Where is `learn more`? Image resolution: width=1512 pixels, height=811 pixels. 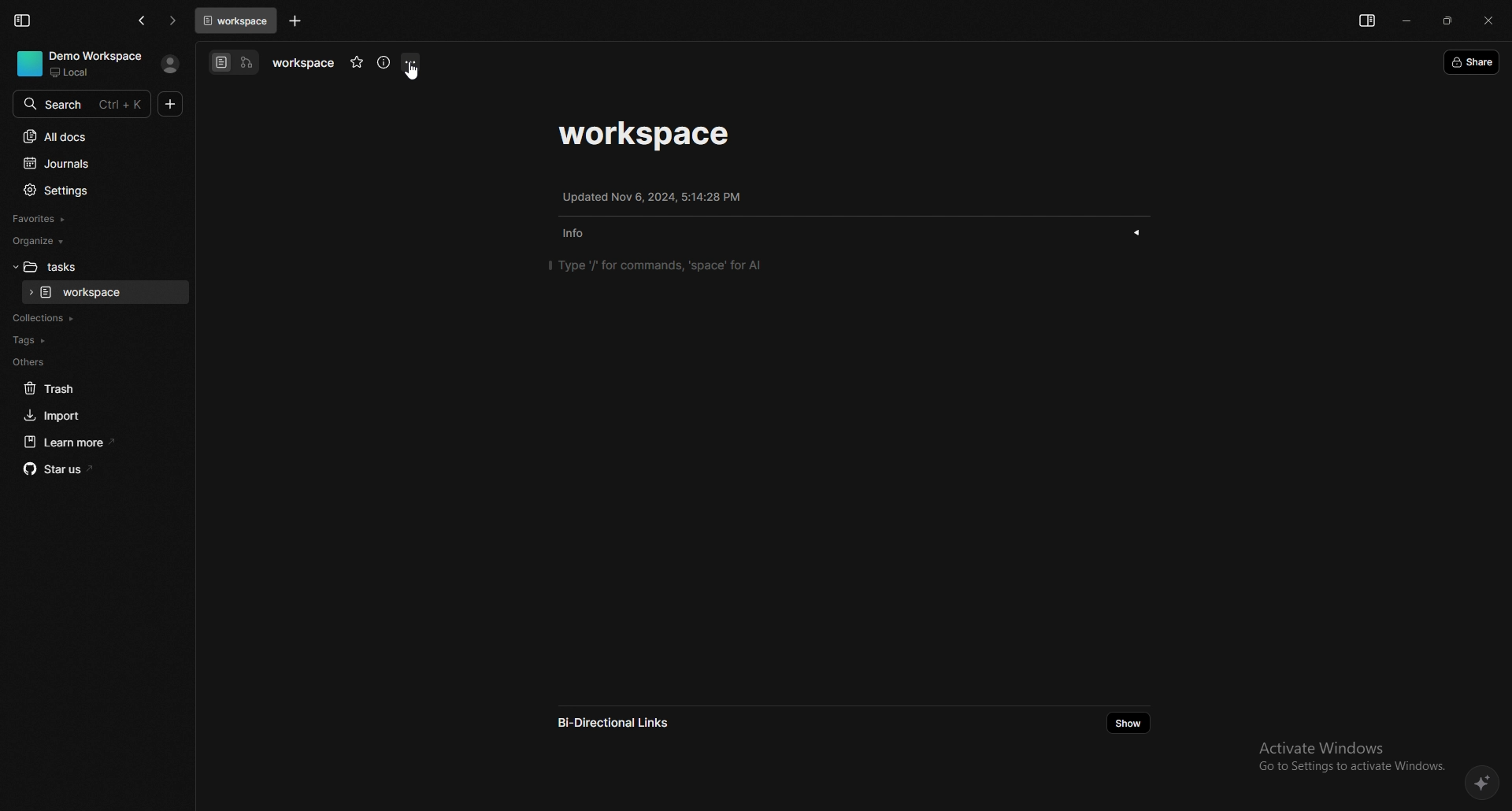 learn more is located at coordinates (94, 443).